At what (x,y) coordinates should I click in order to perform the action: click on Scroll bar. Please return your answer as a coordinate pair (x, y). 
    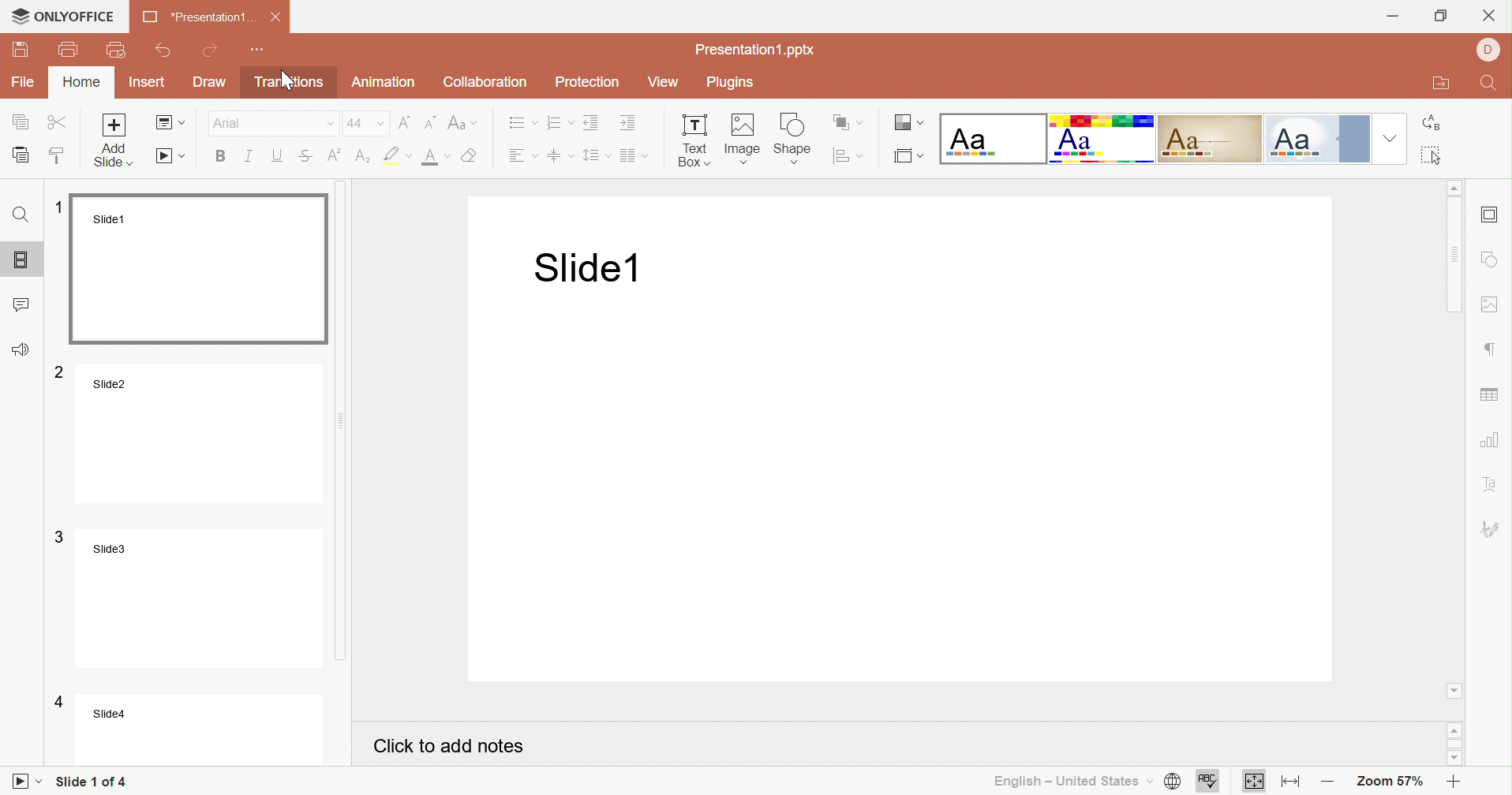
    Looking at the image, I should click on (1456, 435).